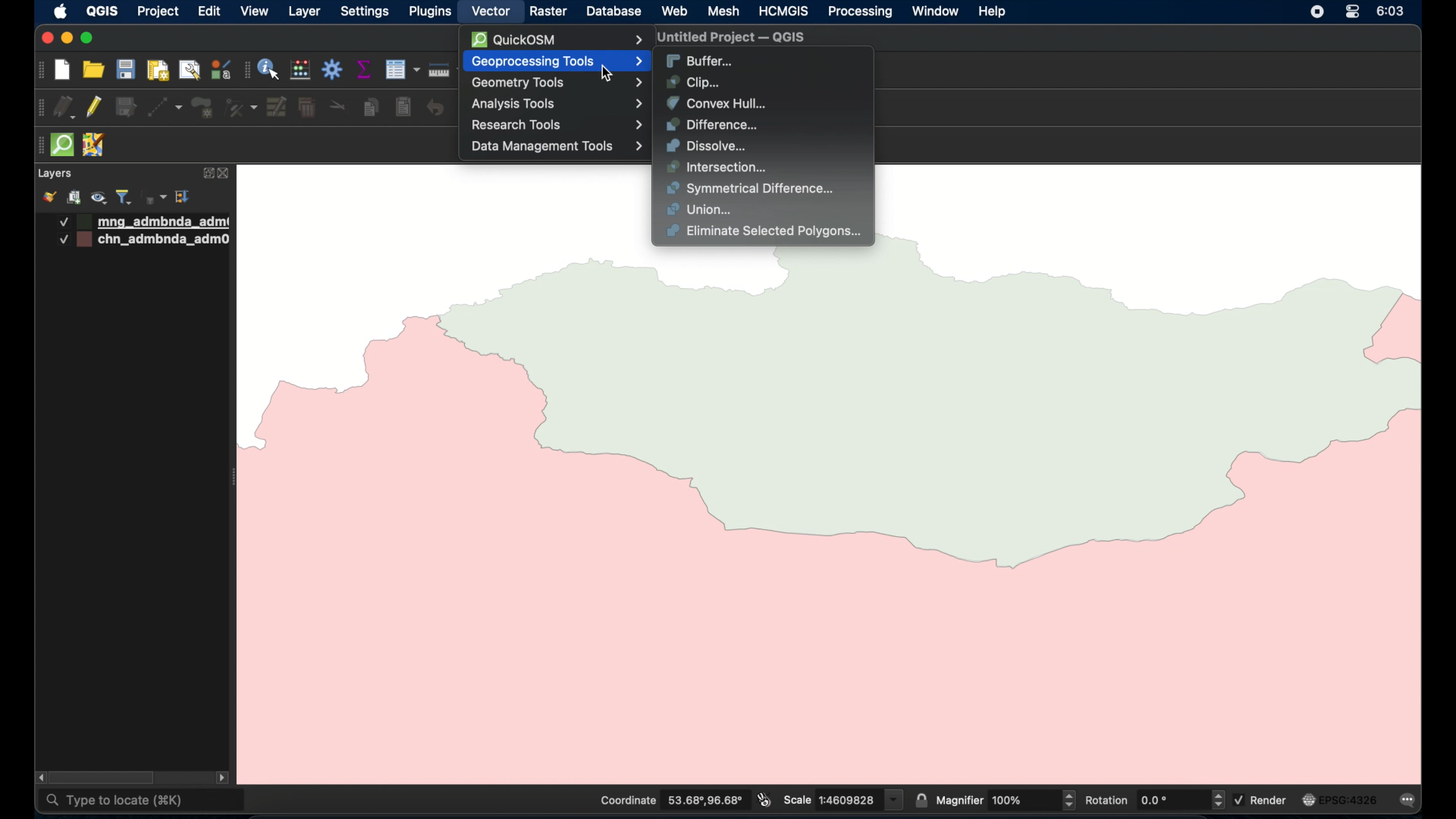 The height and width of the screenshot is (819, 1456). Describe the element at coordinates (556, 104) in the screenshot. I see `analysis tools` at that location.